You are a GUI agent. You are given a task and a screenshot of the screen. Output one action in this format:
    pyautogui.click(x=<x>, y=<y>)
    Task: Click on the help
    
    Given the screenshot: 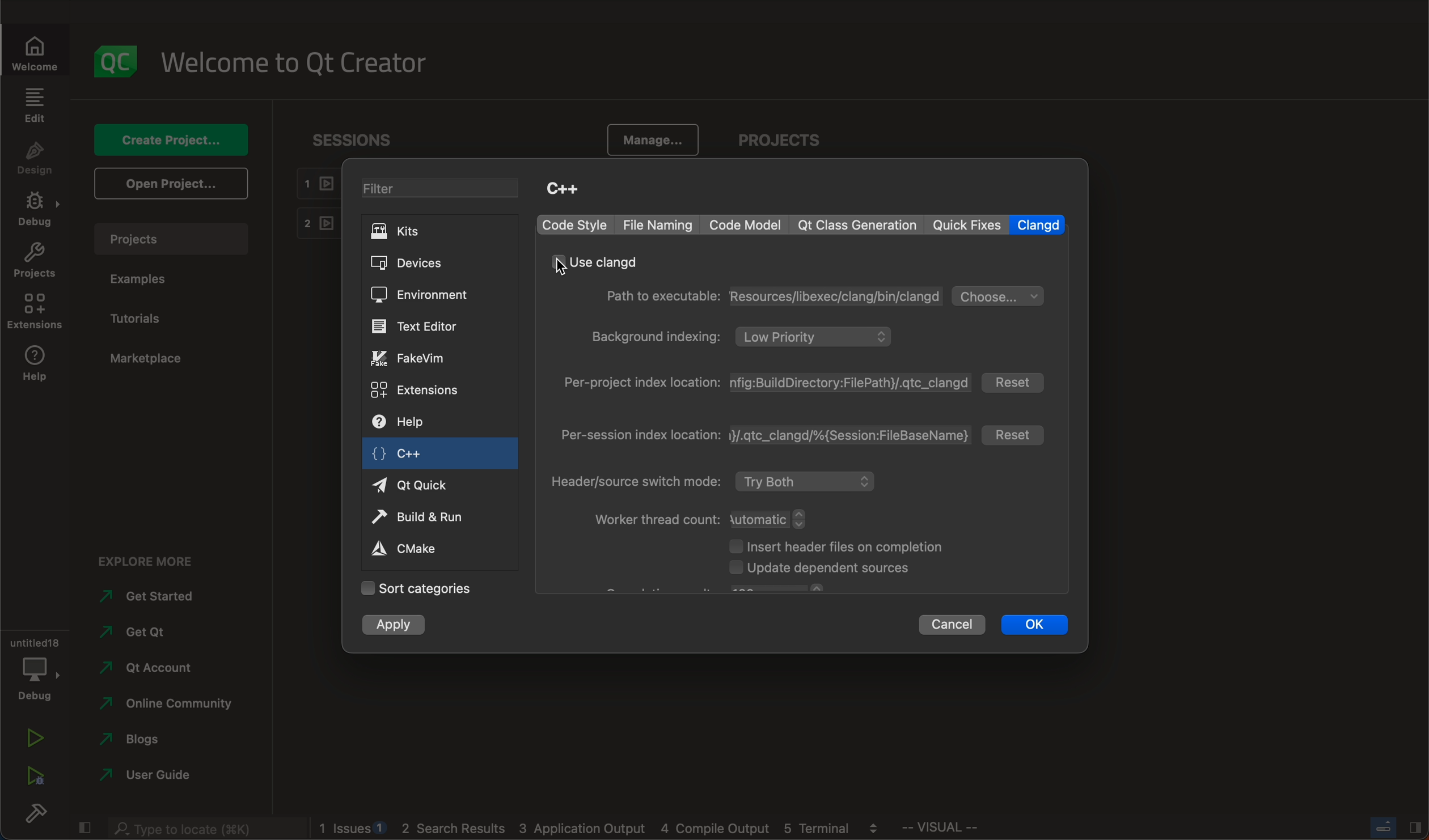 What is the action you would take?
    pyautogui.click(x=38, y=363)
    